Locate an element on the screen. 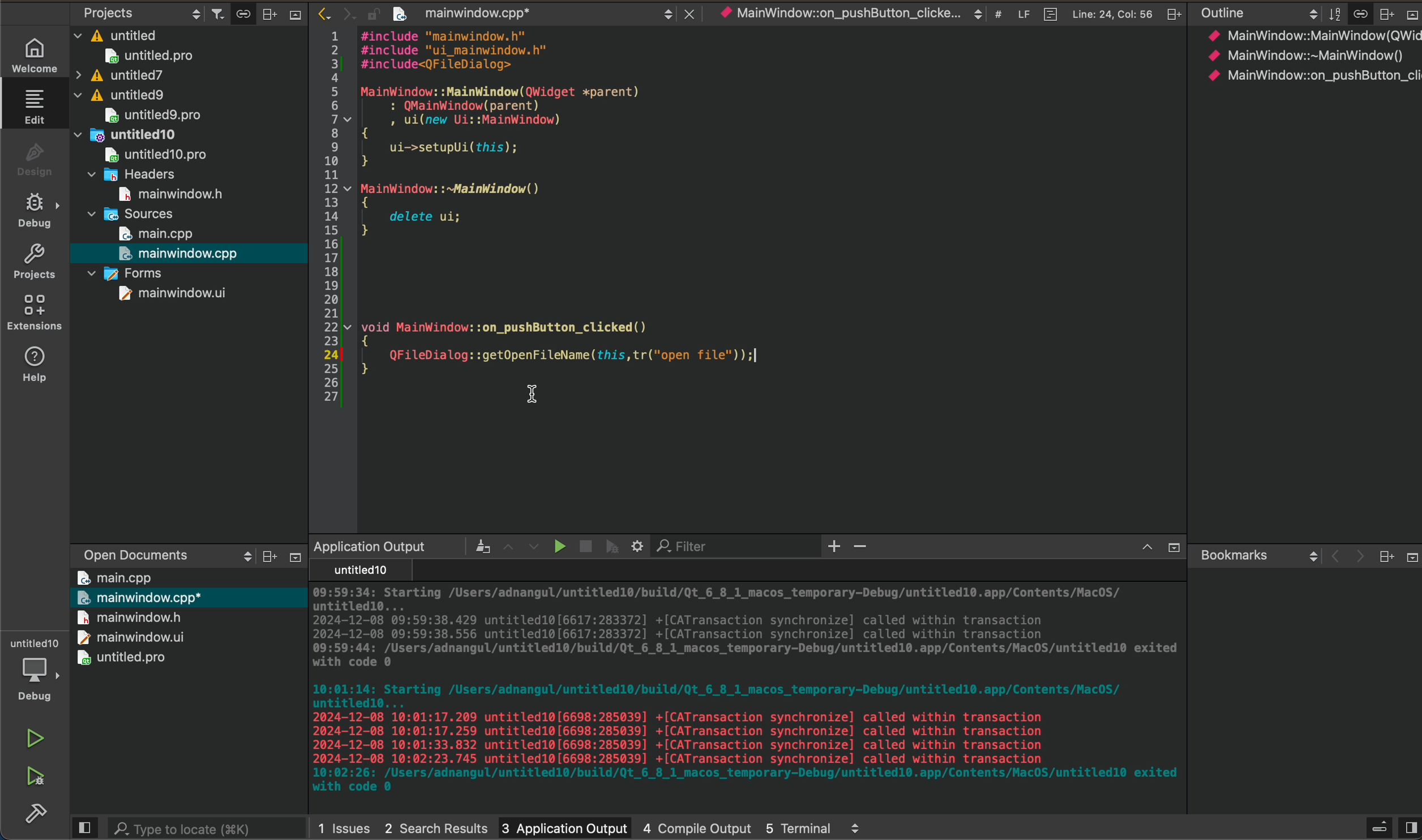 This screenshot has width=1422, height=840. untitled10 is located at coordinates (357, 571).